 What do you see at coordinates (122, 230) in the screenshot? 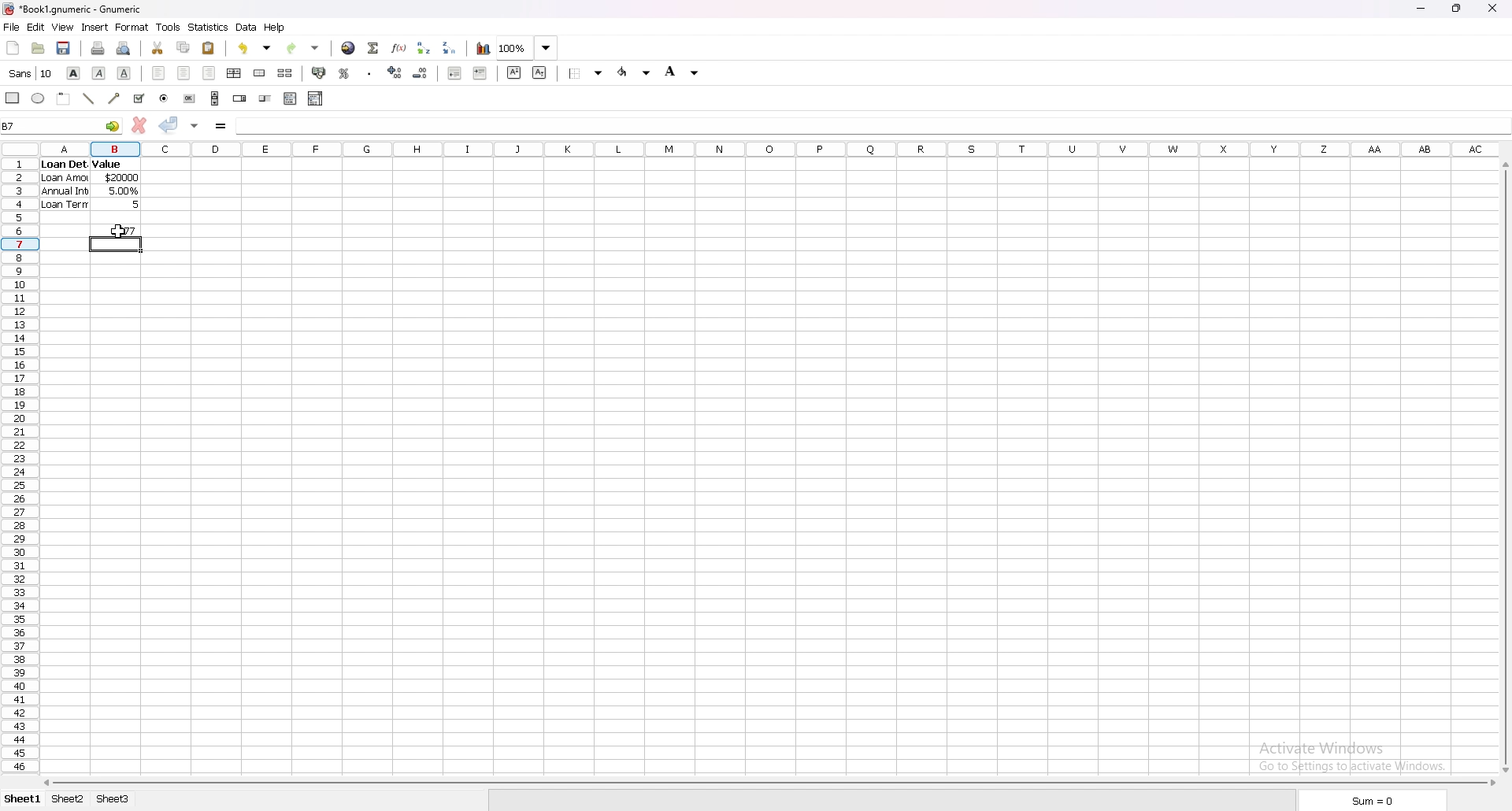
I see `77` at bounding box center [122, 230].